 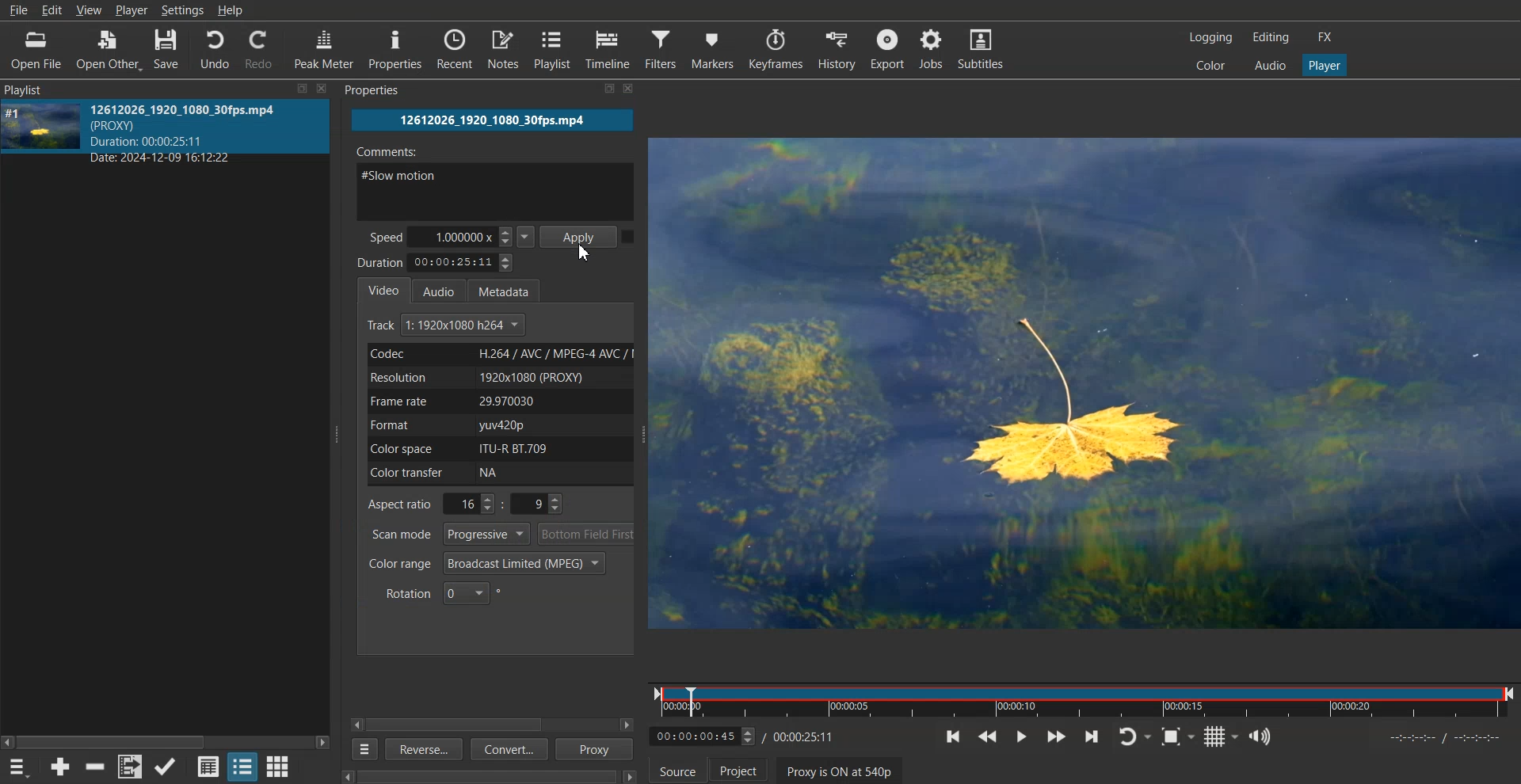 I want to click on View, so click(x=90, y=11).